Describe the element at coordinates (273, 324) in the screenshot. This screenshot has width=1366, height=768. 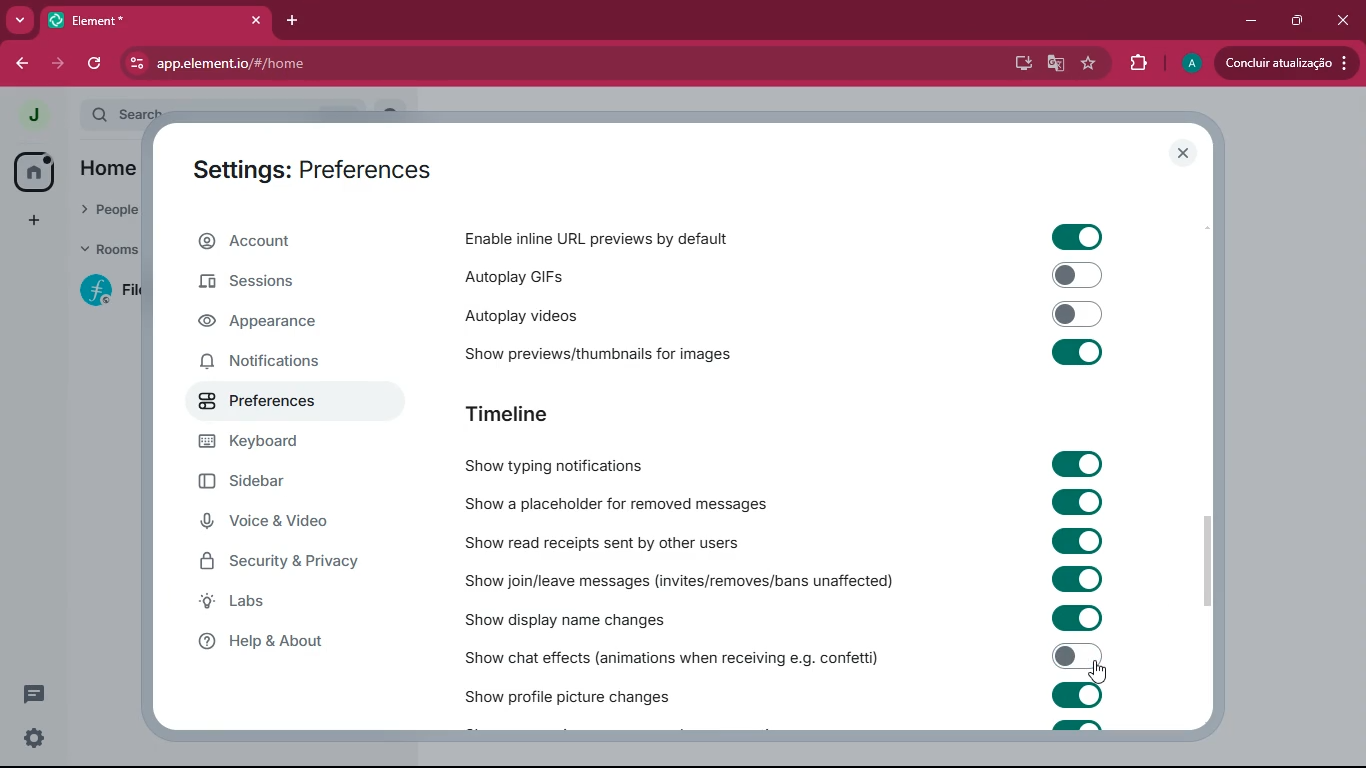
I see `appearance` at that location.